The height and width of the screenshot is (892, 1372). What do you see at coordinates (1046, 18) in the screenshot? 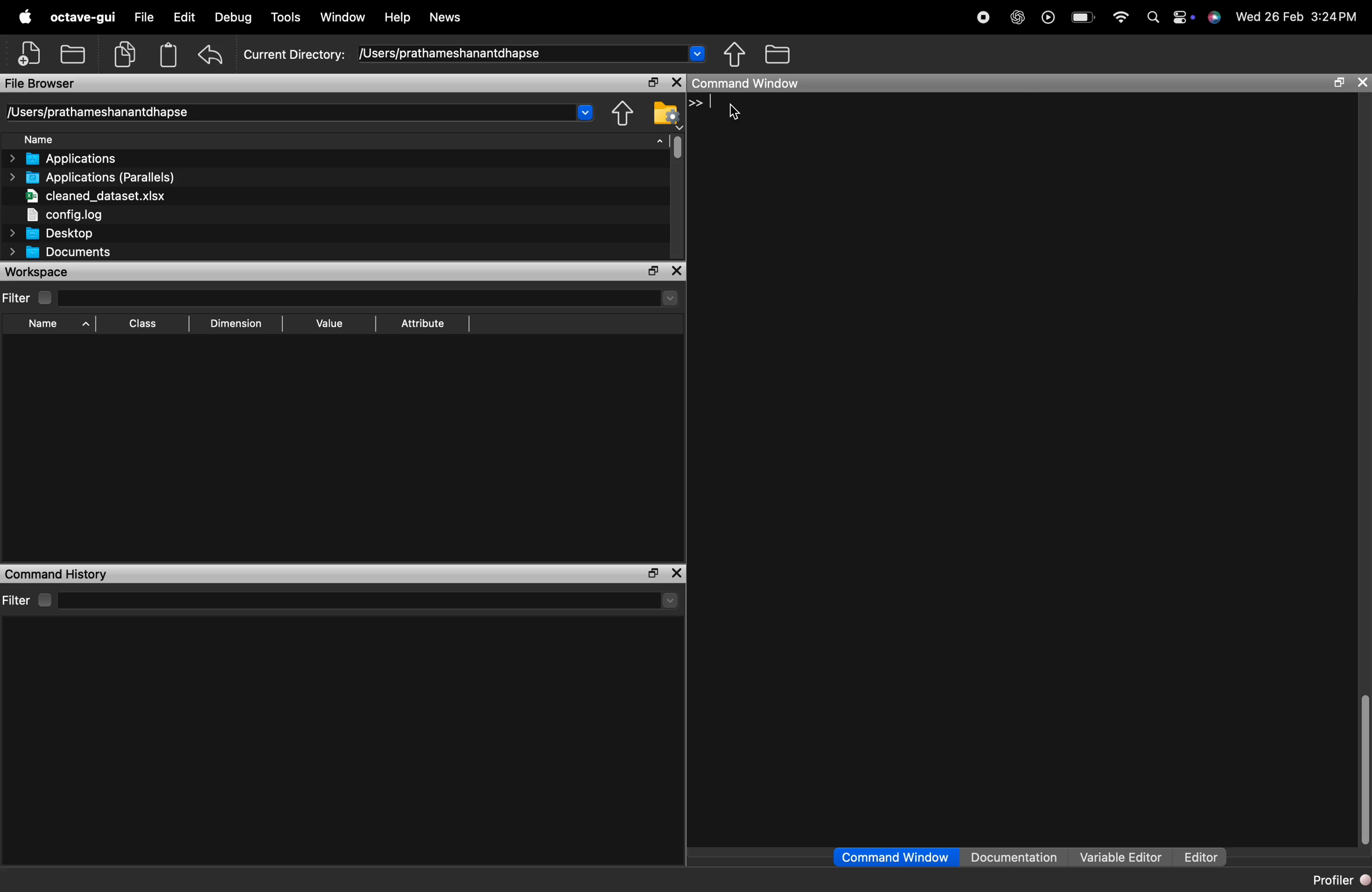
I see `play` at bounding box center [1046, 18].